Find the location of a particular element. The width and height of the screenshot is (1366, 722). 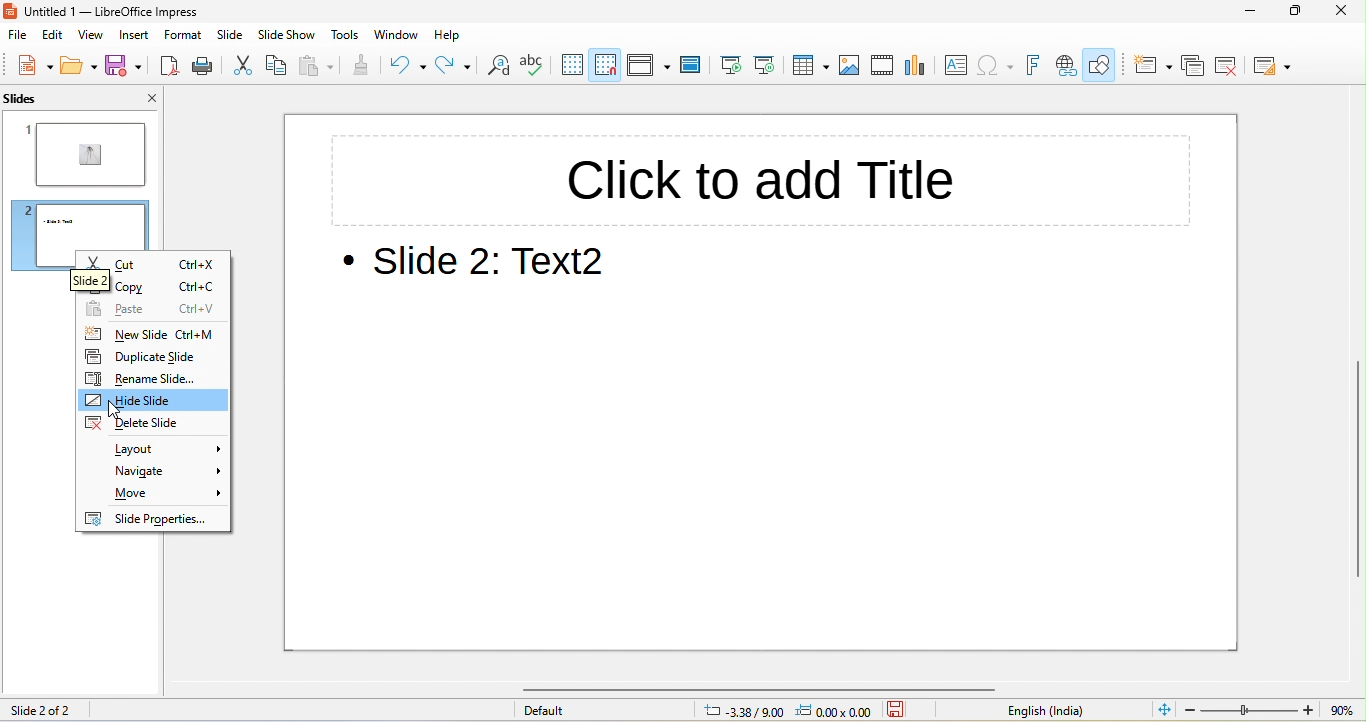

start from first slide is located at coordinates (732, 65).